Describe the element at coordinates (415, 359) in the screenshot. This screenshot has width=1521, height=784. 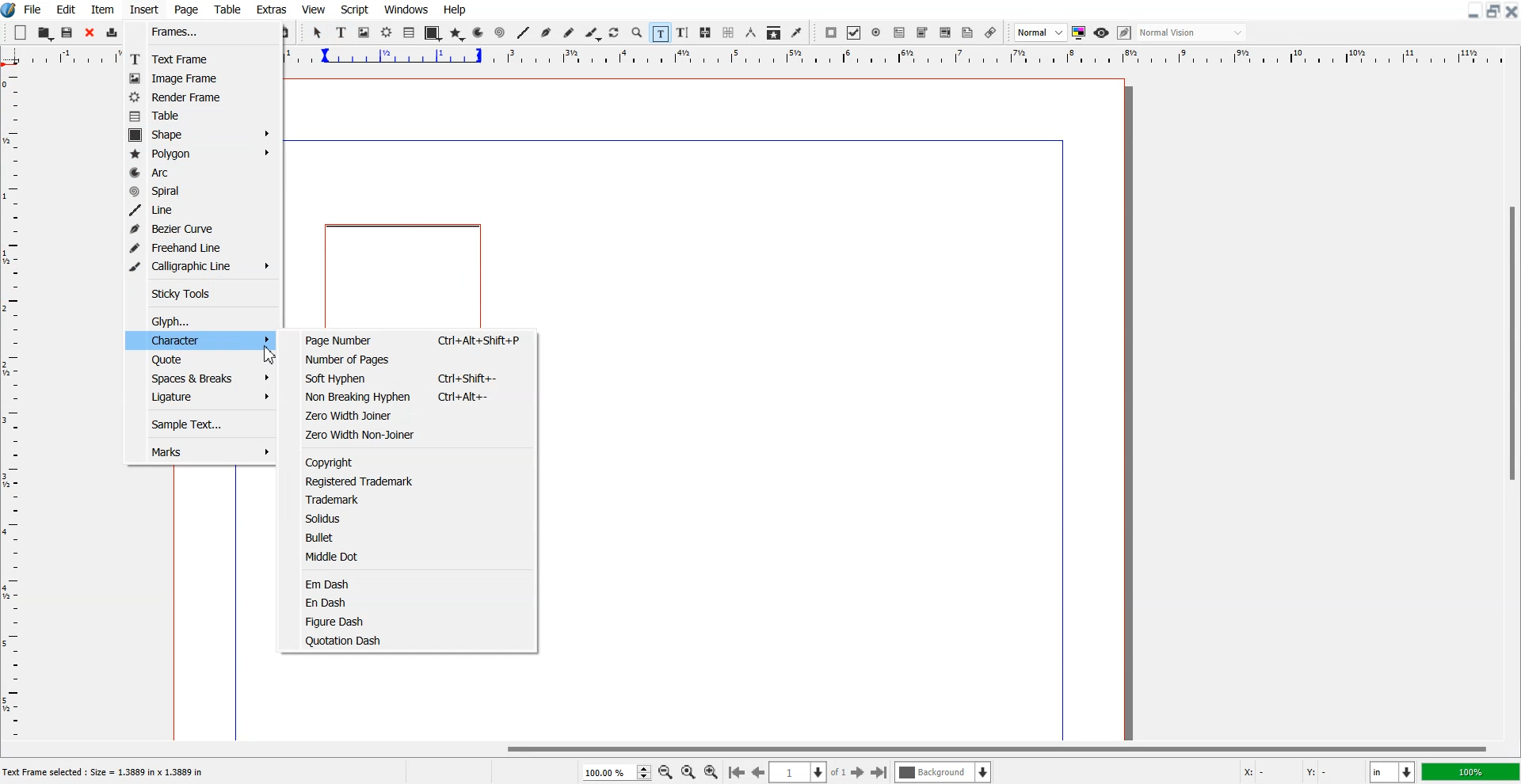
I see `Number of Pages` at that location.